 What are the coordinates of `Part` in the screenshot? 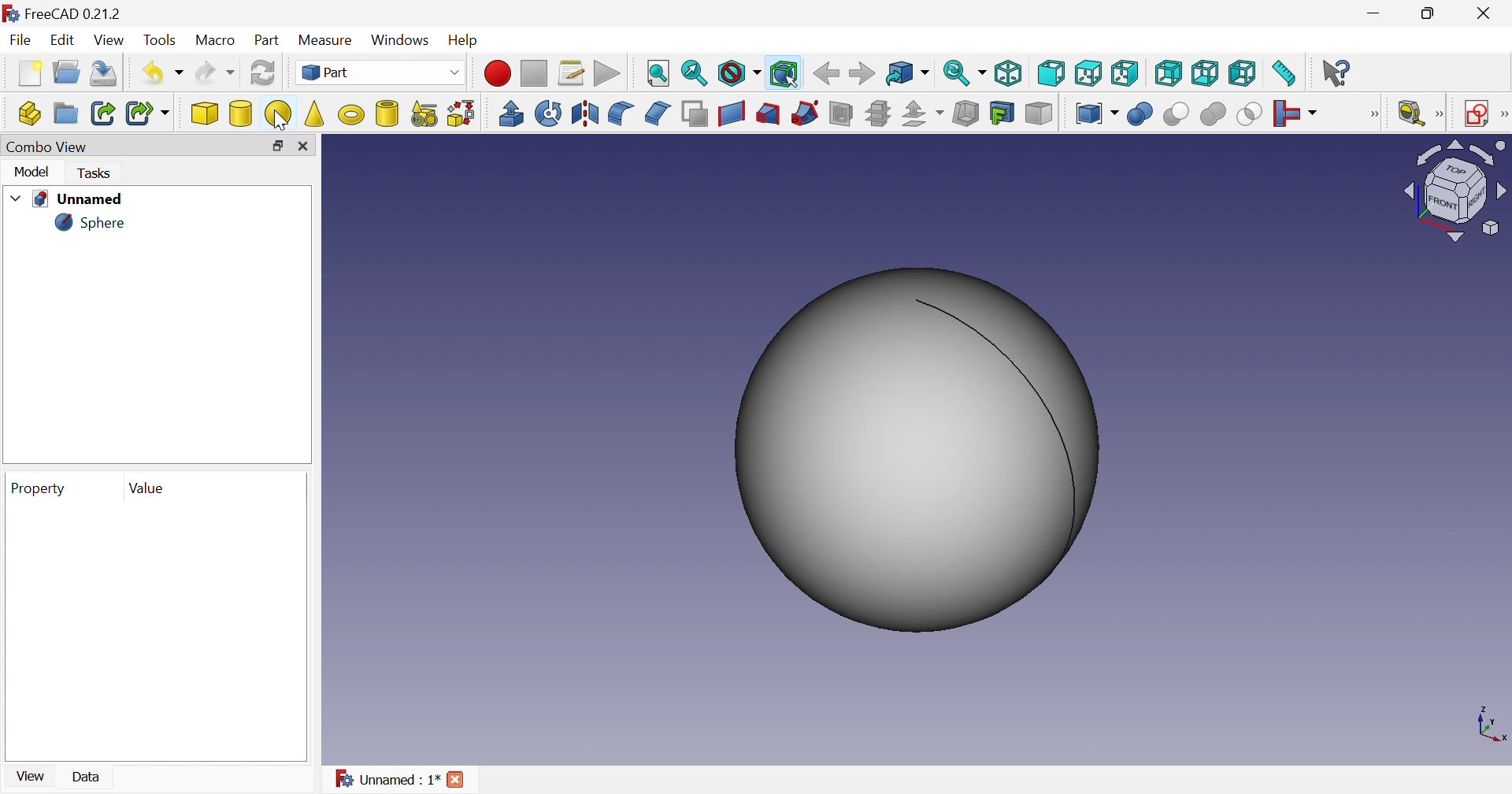 It's located at (269, 41).